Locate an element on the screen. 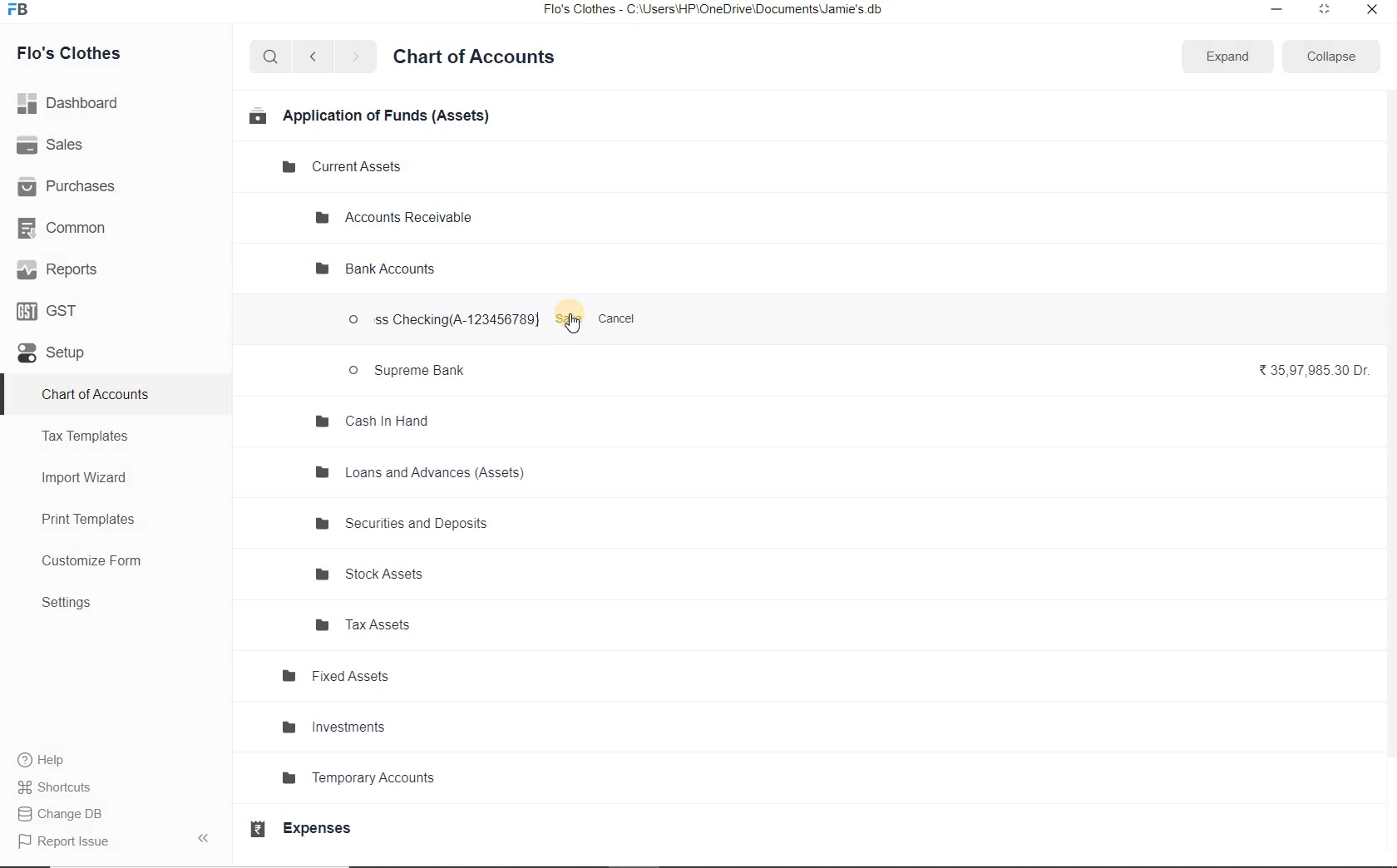  maximize is located at coordinates (1325, 8).